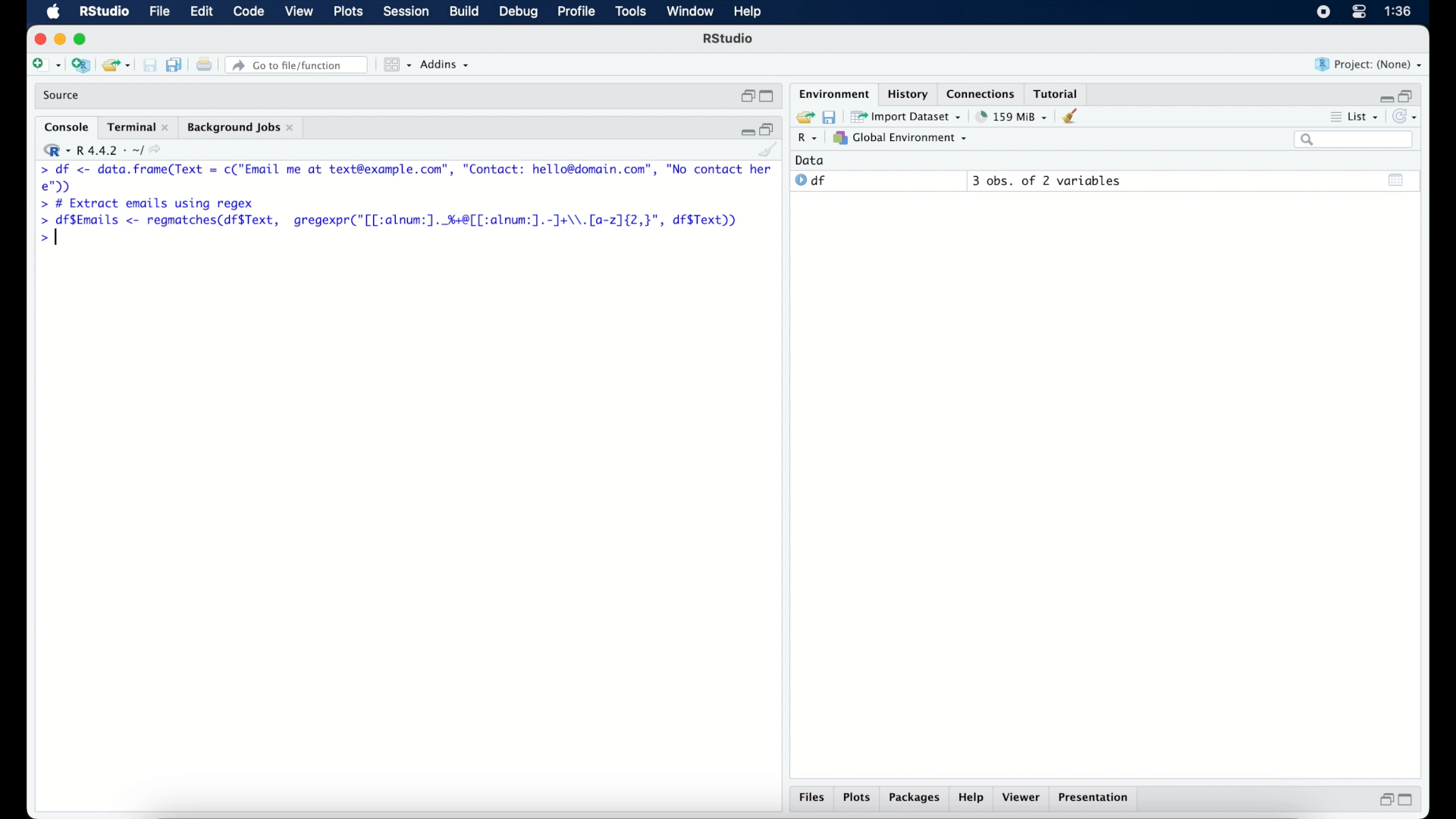 The height and width of the screenshot is (819, 1456). Describe the element at coordinates (146, 204) in the screenshot. I see `> # Extract emails using regex|` at that location.